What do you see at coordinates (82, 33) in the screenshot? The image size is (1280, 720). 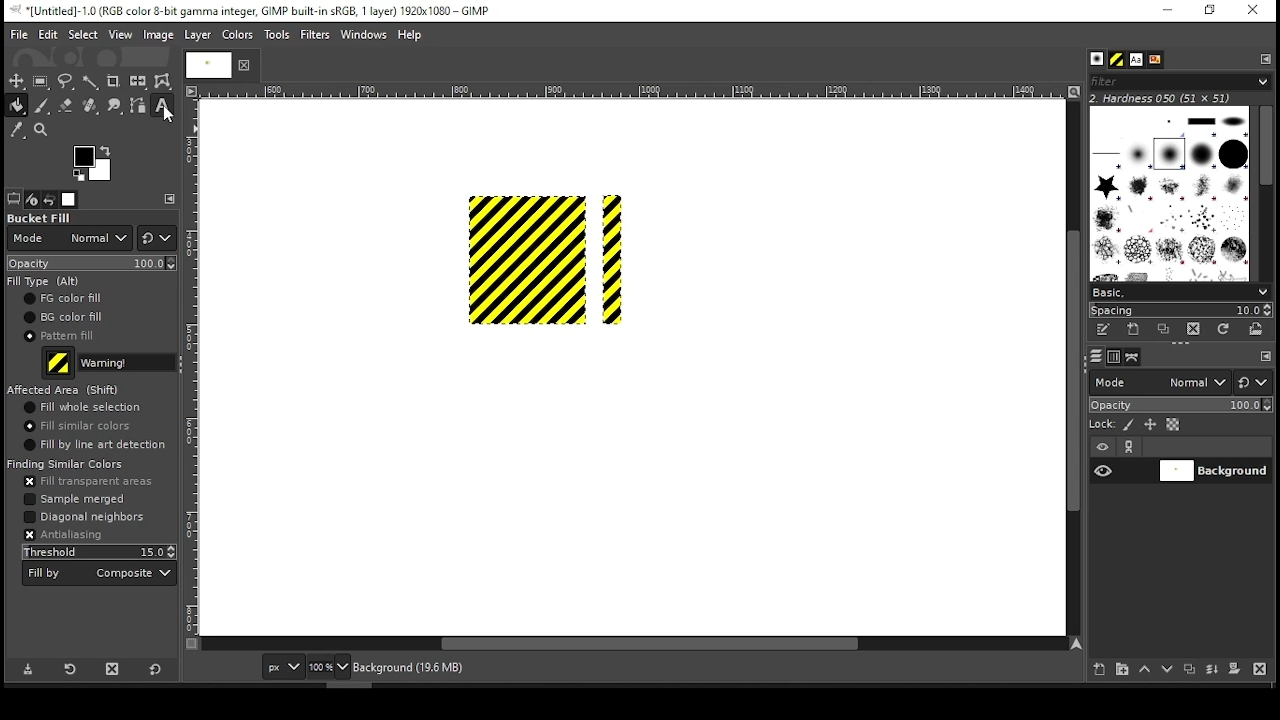 I see `select` at bounding box center [82, 33].